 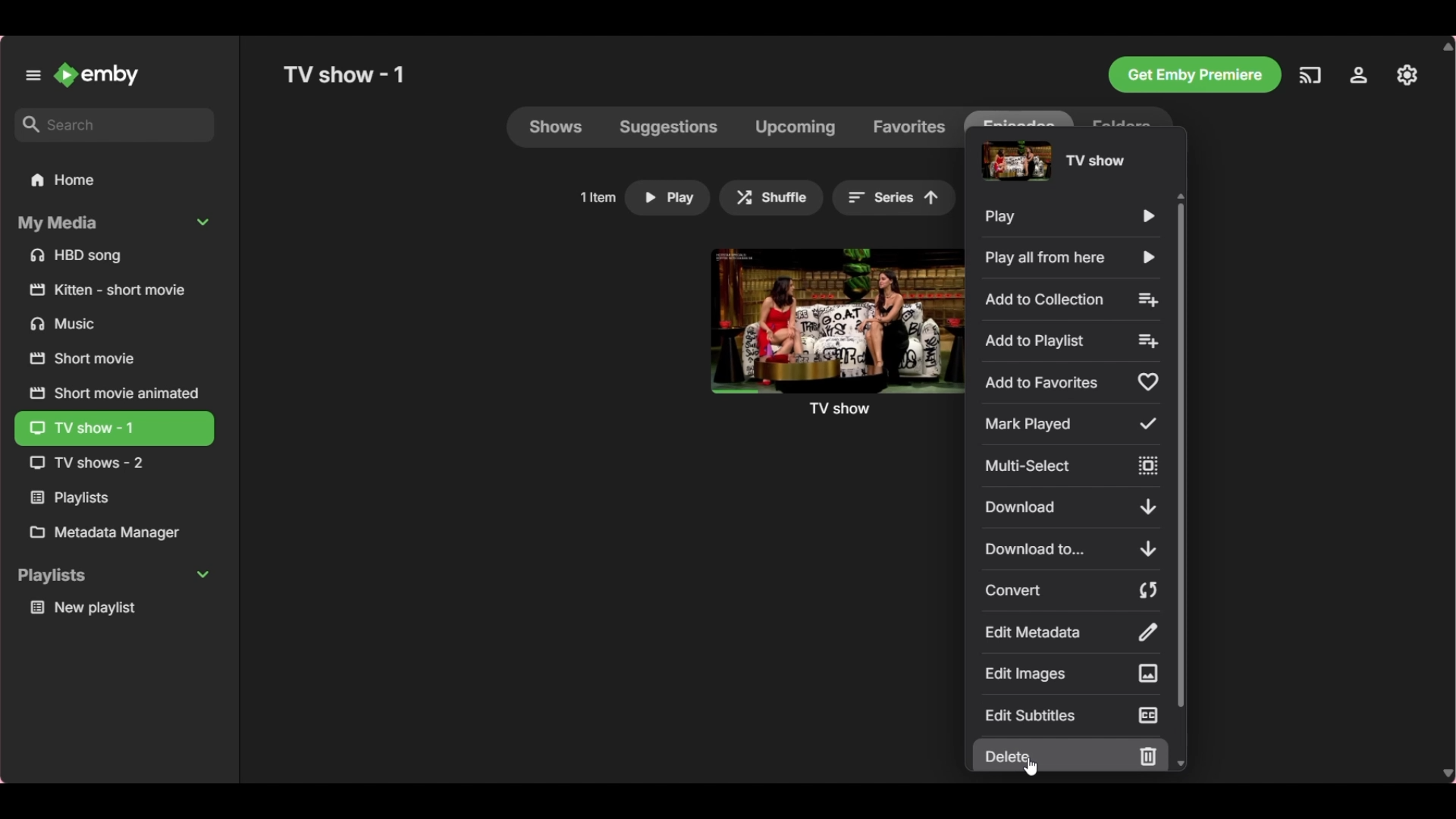 I want to click on Add to playlist, so click(x=1071, y=341).